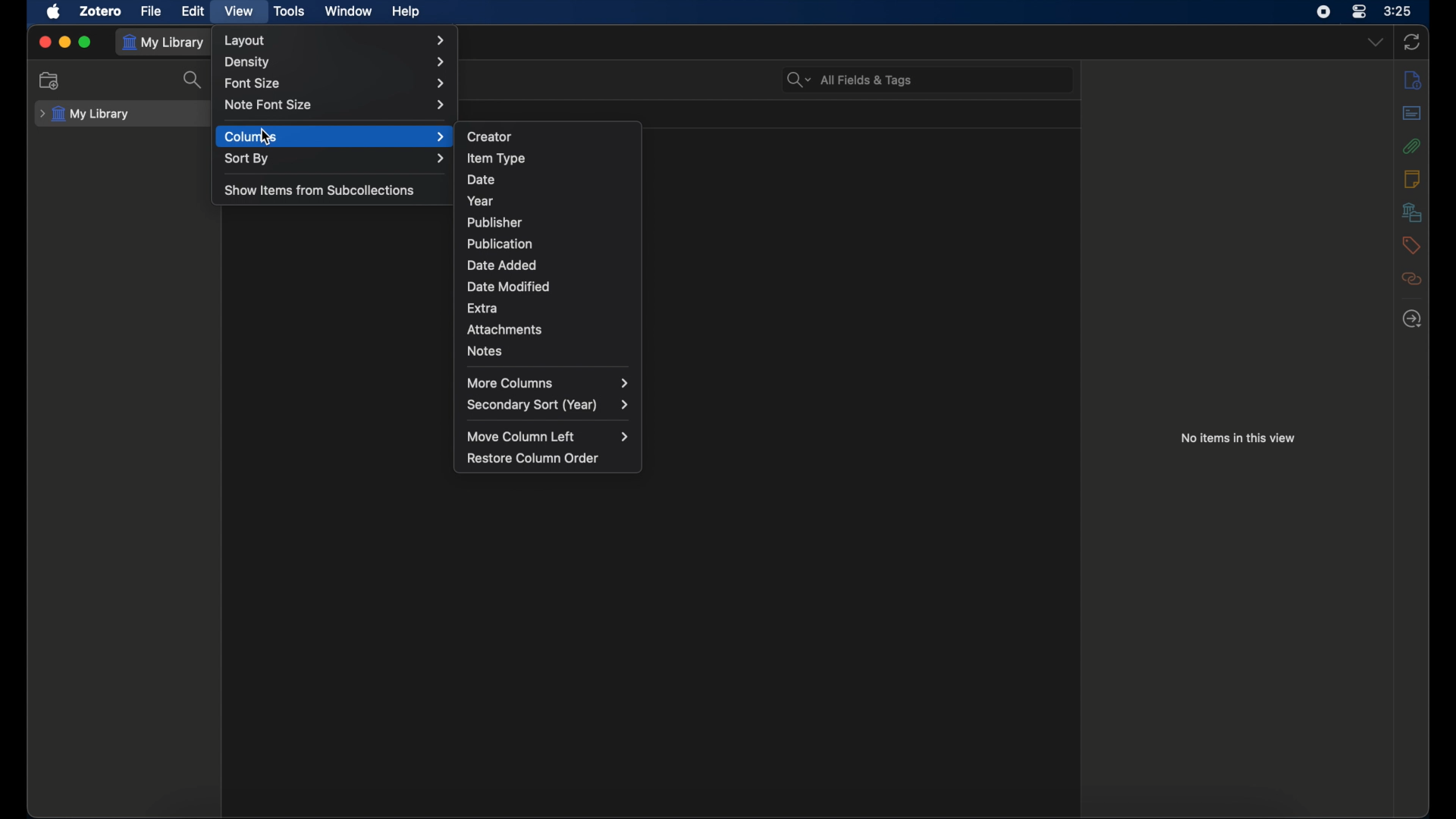  Describe the element at coordinates (336, 40) in the screenshot. I see `layout` at that location.